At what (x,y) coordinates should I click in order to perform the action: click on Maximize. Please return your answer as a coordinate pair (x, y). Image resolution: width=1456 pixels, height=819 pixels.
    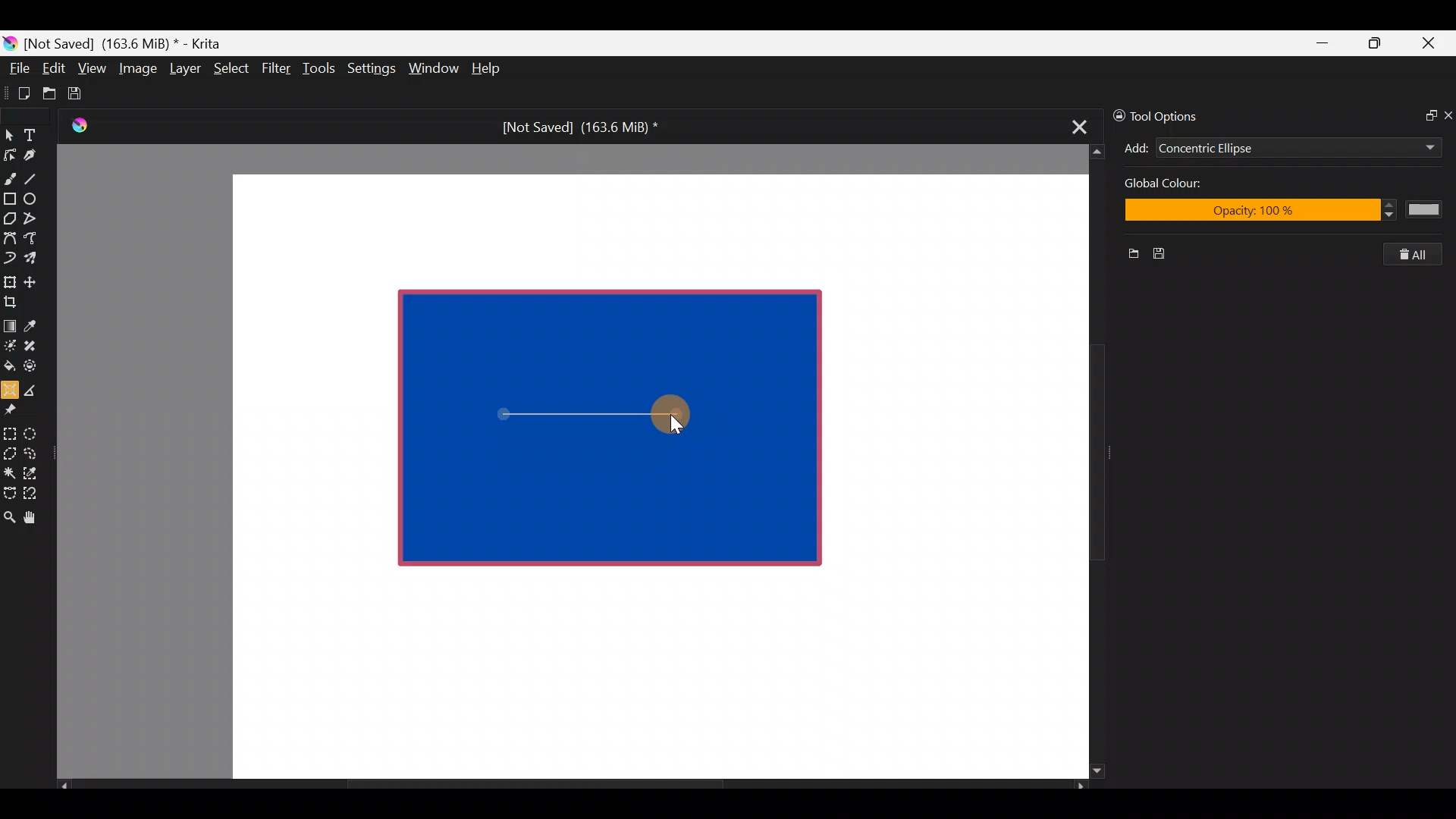
    Looking at the image, I should click on (1374, 42).